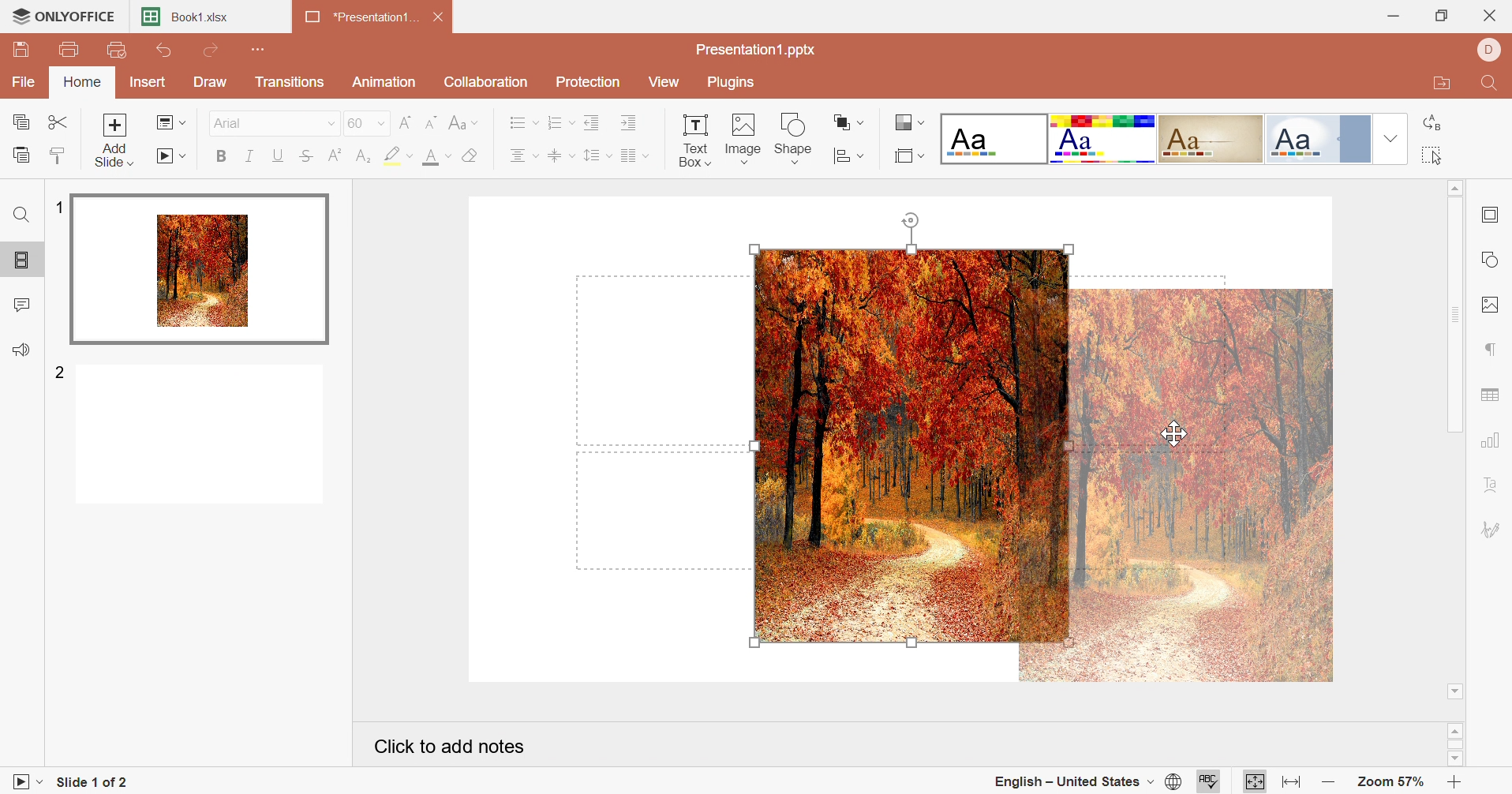 The height and width of the screenshot is (794, 1512). Describe the element at coordinates (594, 124) in the screenshot. I see `Decrease Indent` at that location.